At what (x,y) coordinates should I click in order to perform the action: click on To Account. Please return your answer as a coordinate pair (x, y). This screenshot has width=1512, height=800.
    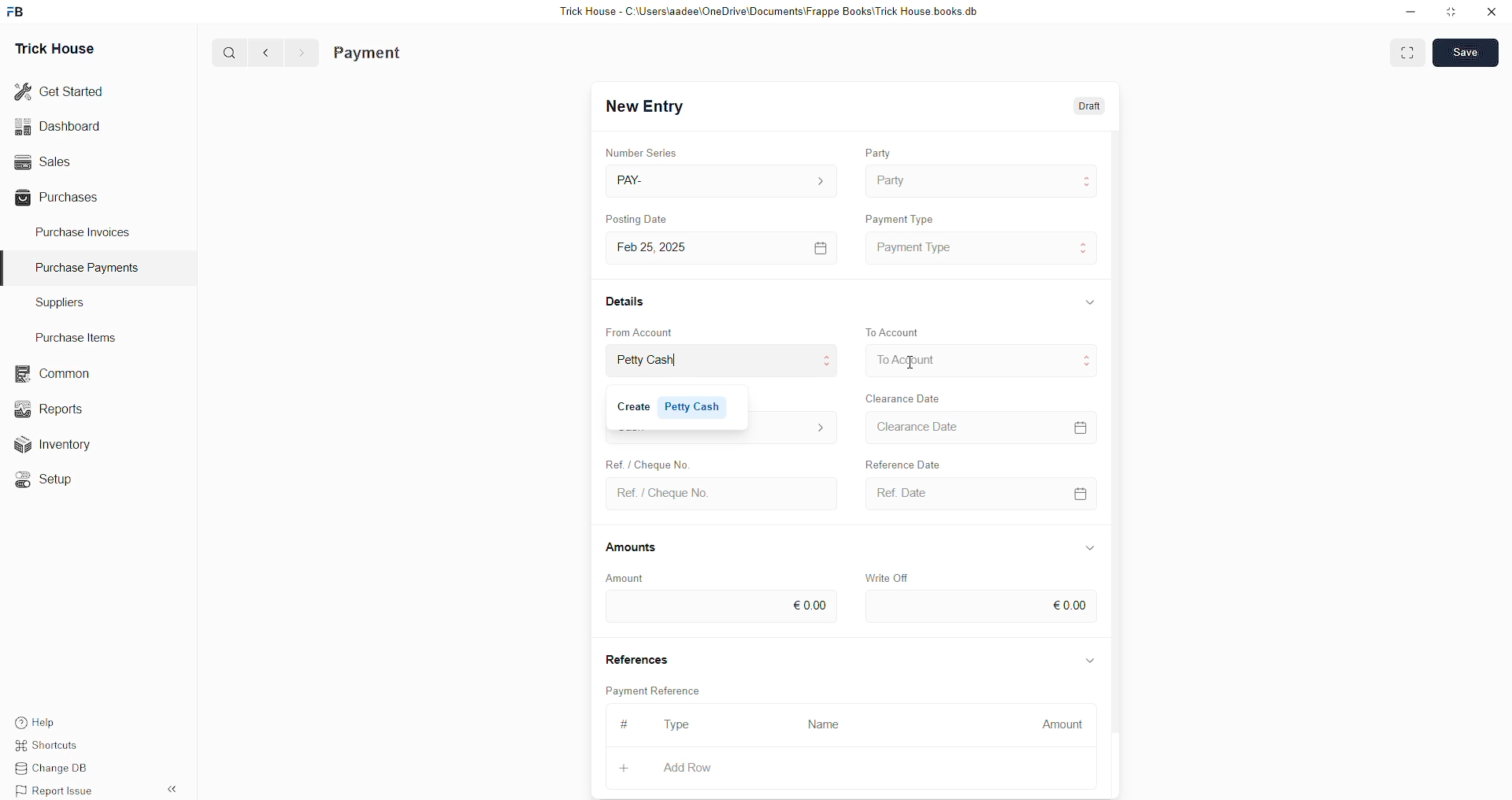
    Looking at the image, I should click on (907, 359).